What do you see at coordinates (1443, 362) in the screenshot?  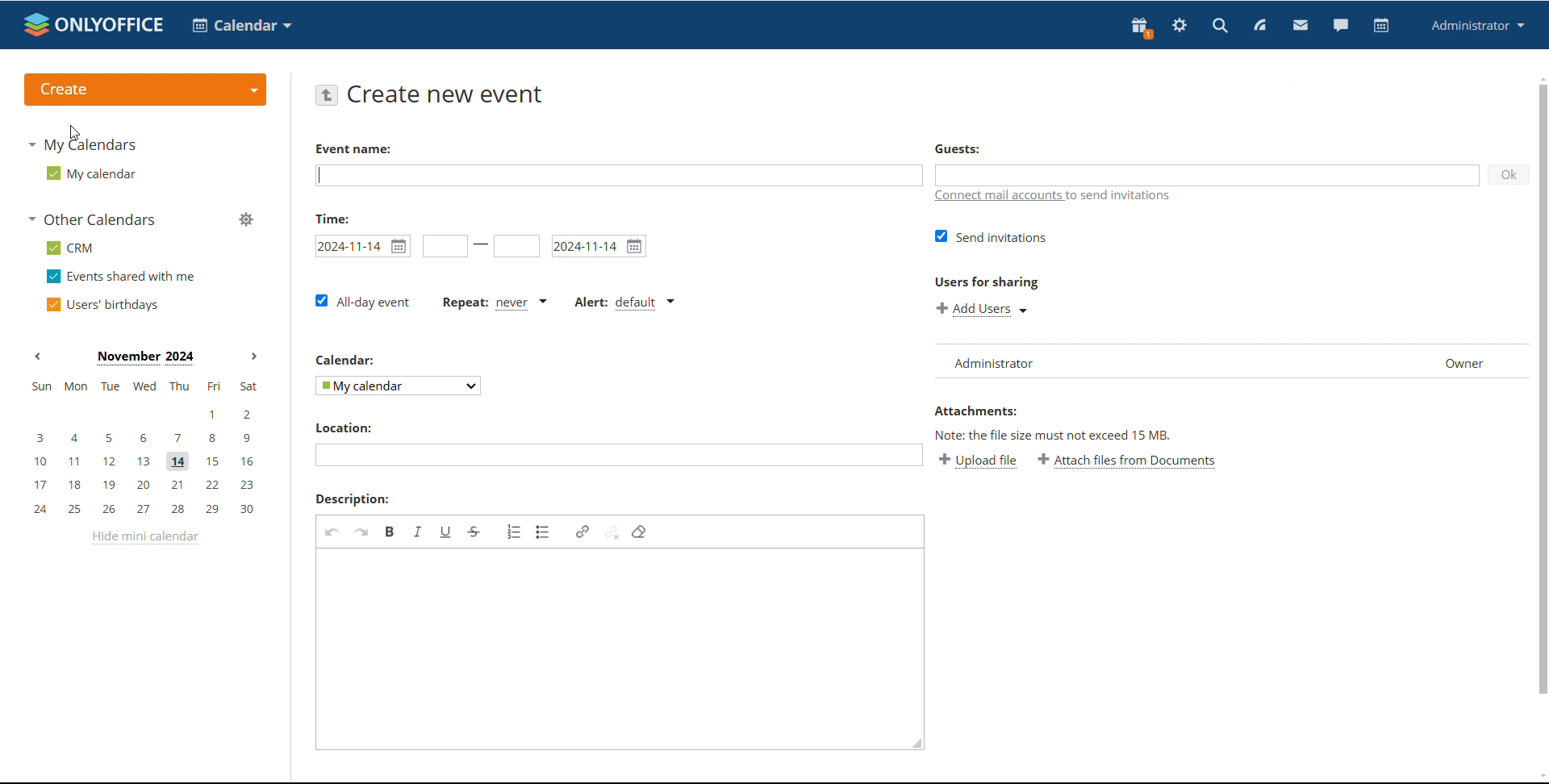 I see `Owner` at bounding box center [1443, 362].